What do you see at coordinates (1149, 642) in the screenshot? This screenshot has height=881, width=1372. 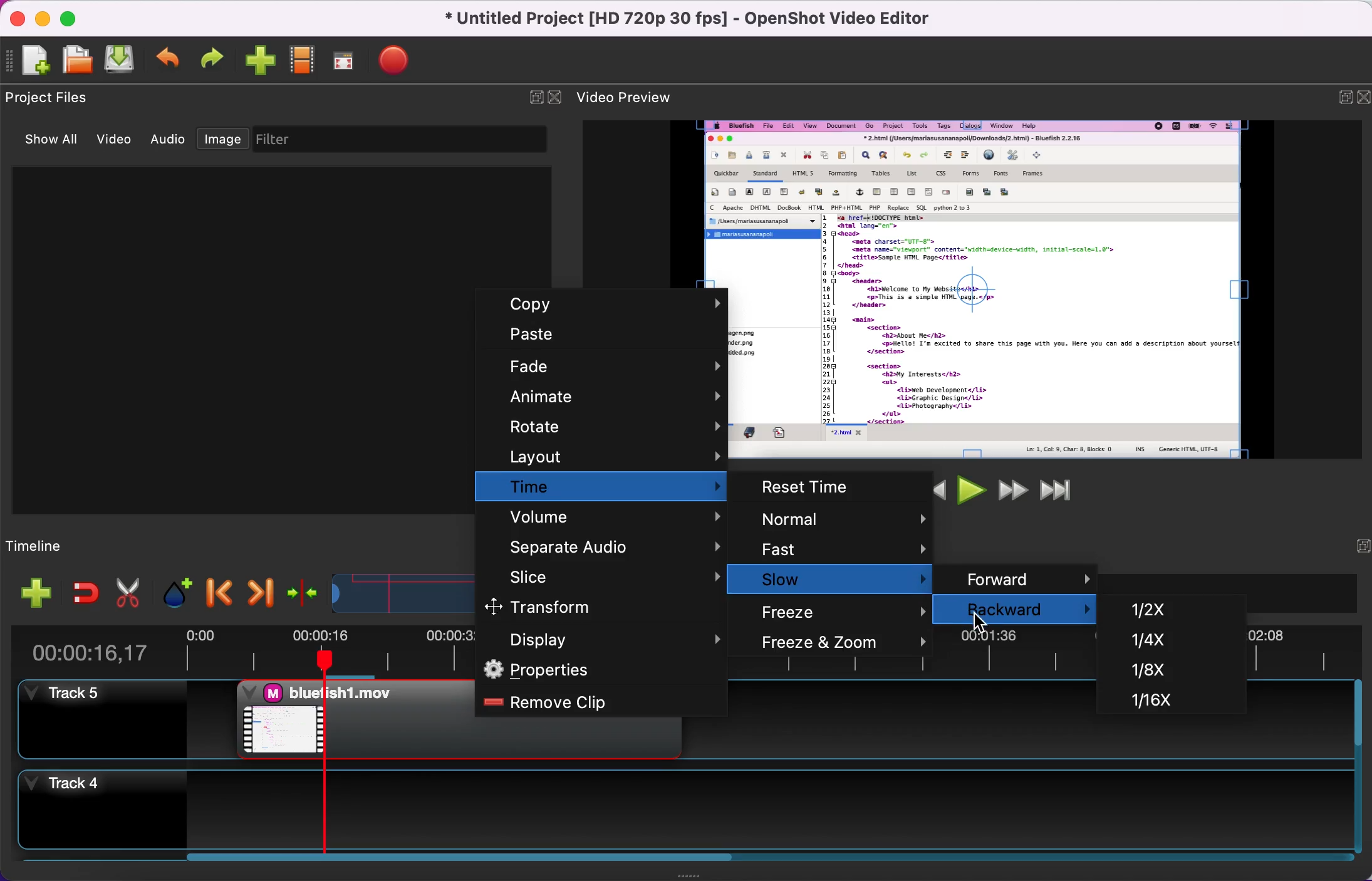 I see `1/4x` at bounding box center [1149, 642].